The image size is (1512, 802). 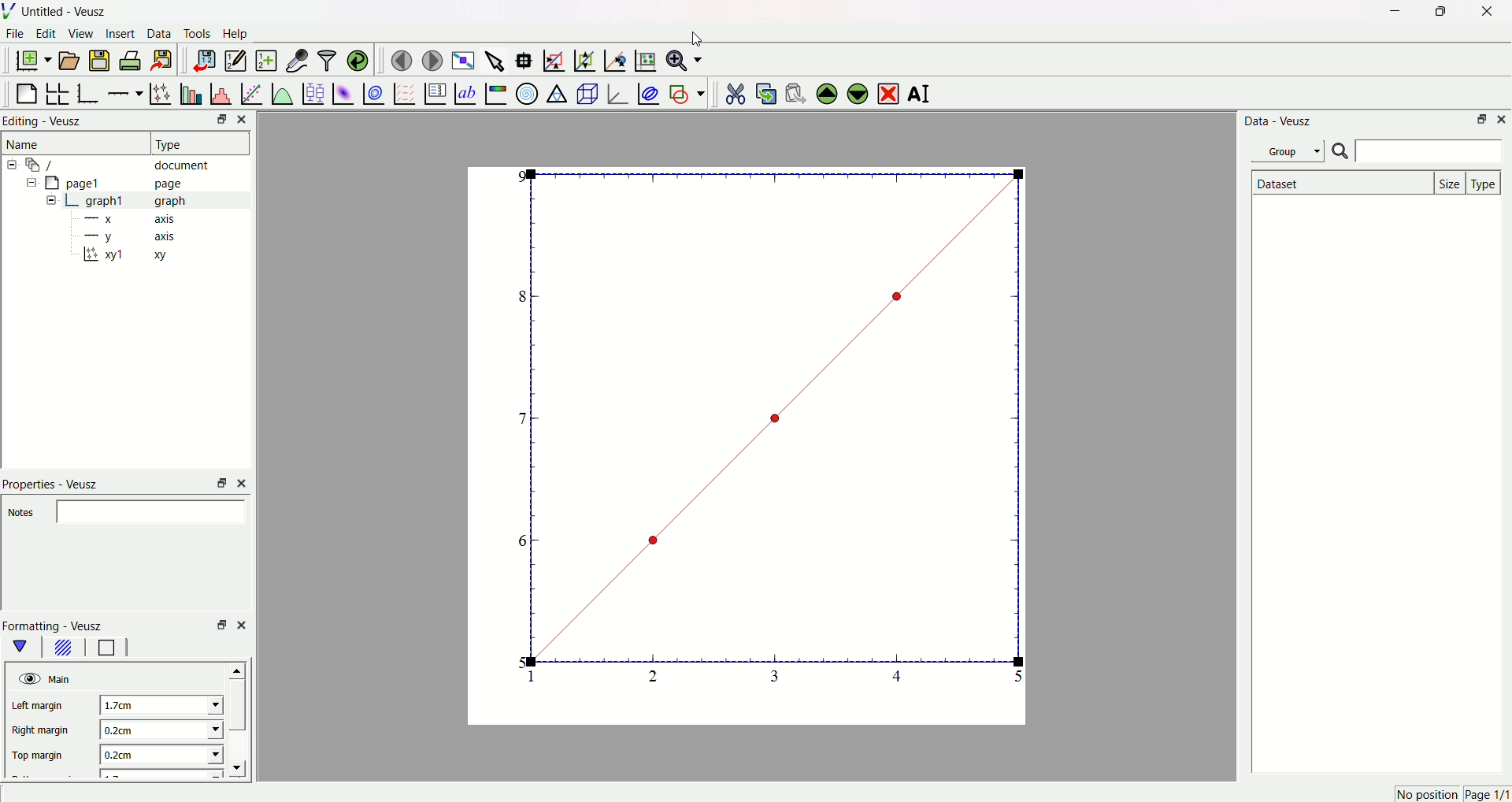 I want to click on graph1 graph, so click(x=137, y=200).